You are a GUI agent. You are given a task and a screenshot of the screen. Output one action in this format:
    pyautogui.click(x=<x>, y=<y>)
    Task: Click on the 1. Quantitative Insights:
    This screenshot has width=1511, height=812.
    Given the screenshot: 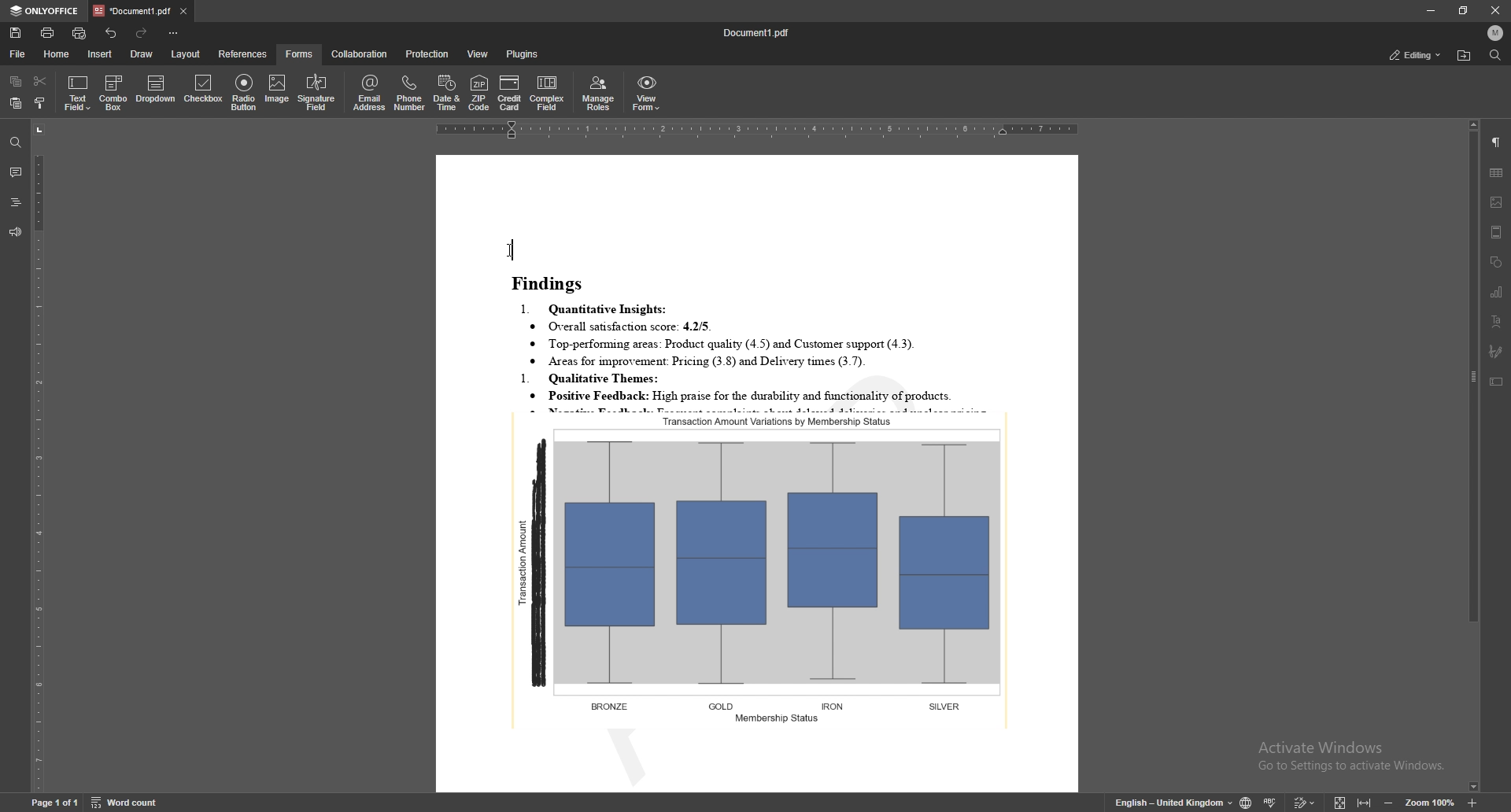 What is the action you would take?
    pyautogui.click(x=597, y=308)
    